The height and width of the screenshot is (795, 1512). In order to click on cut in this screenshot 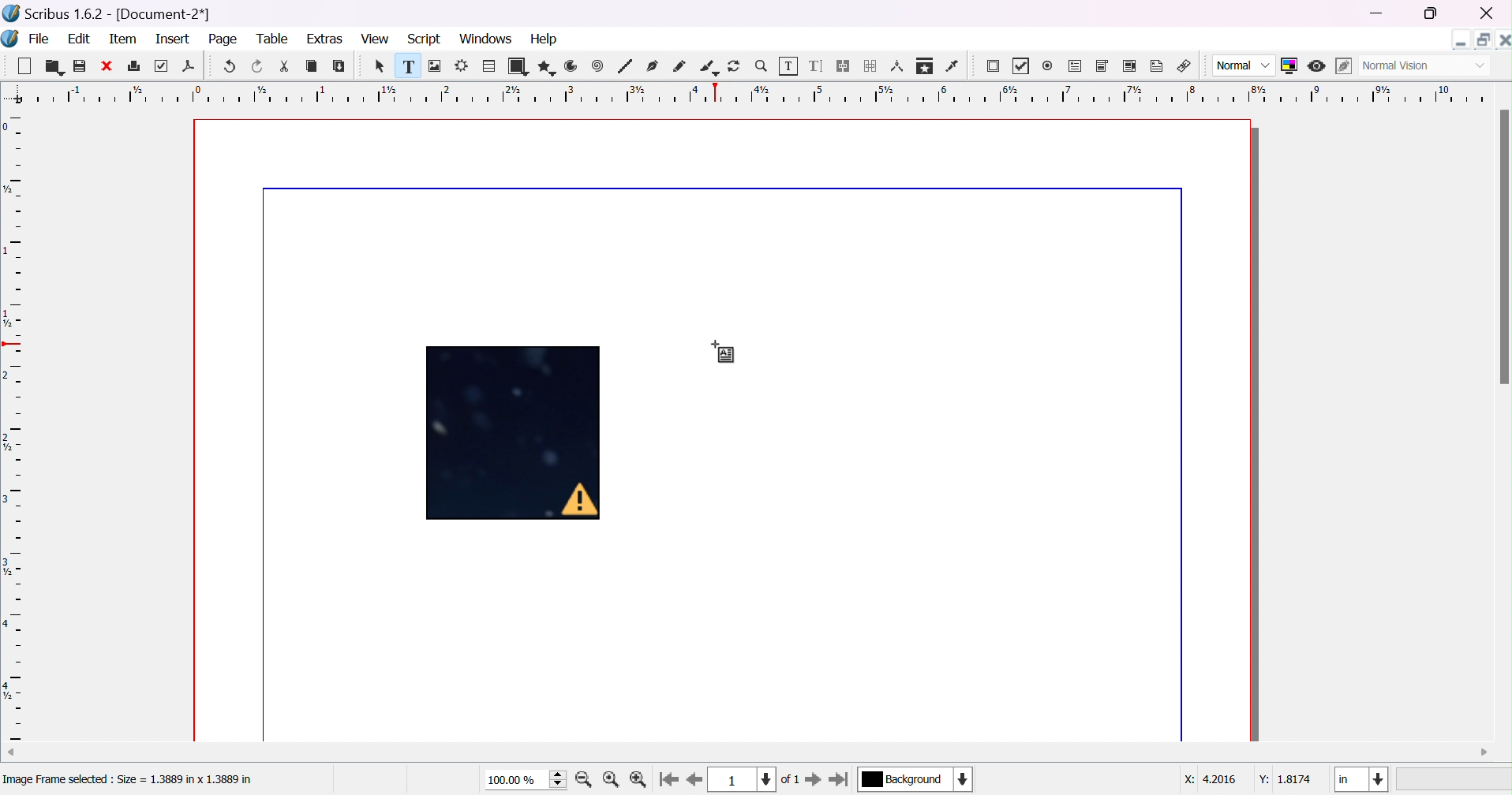, I will do `click(283, 66)`.